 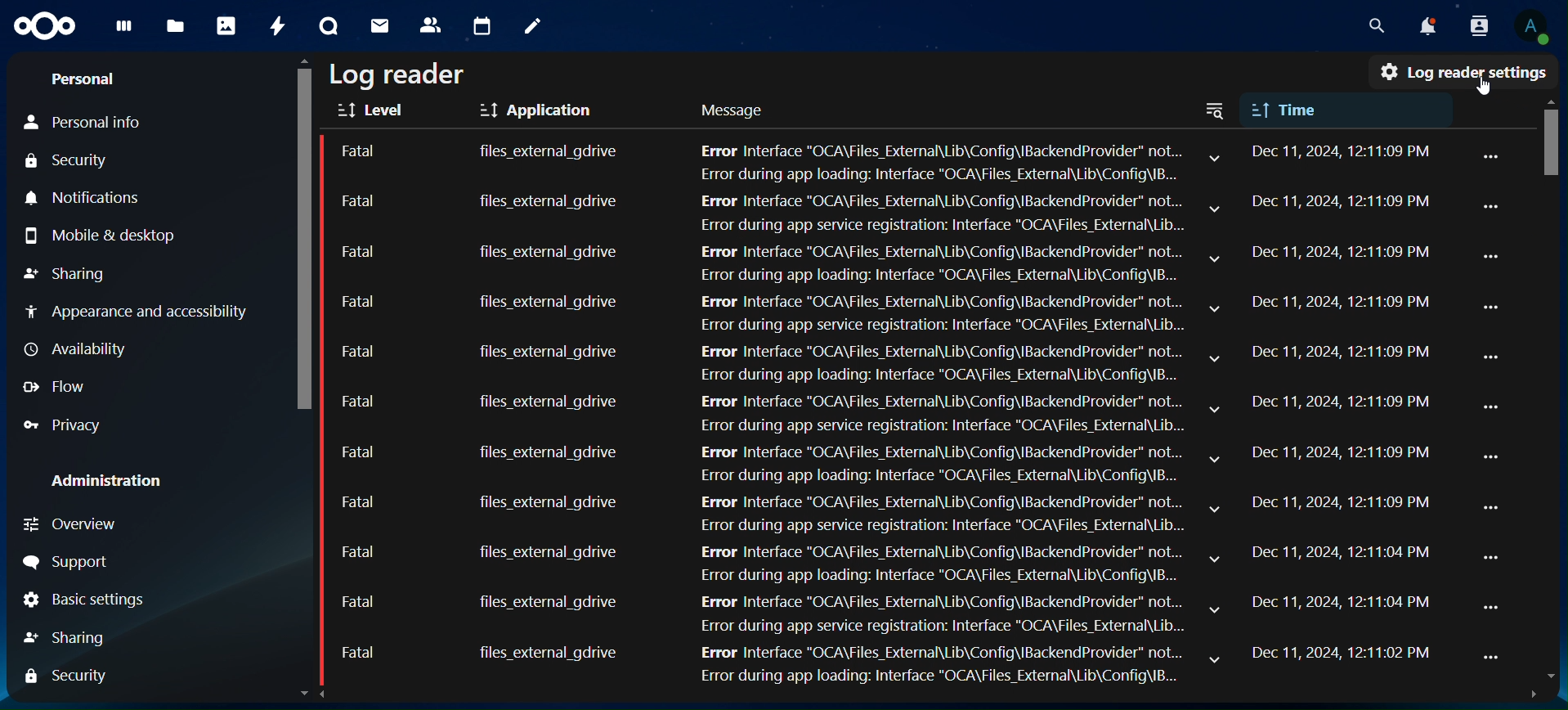 What do you see at coordinates (401, 73) in the screenshot?
I see `log reader` at bounding box center [401, 73].